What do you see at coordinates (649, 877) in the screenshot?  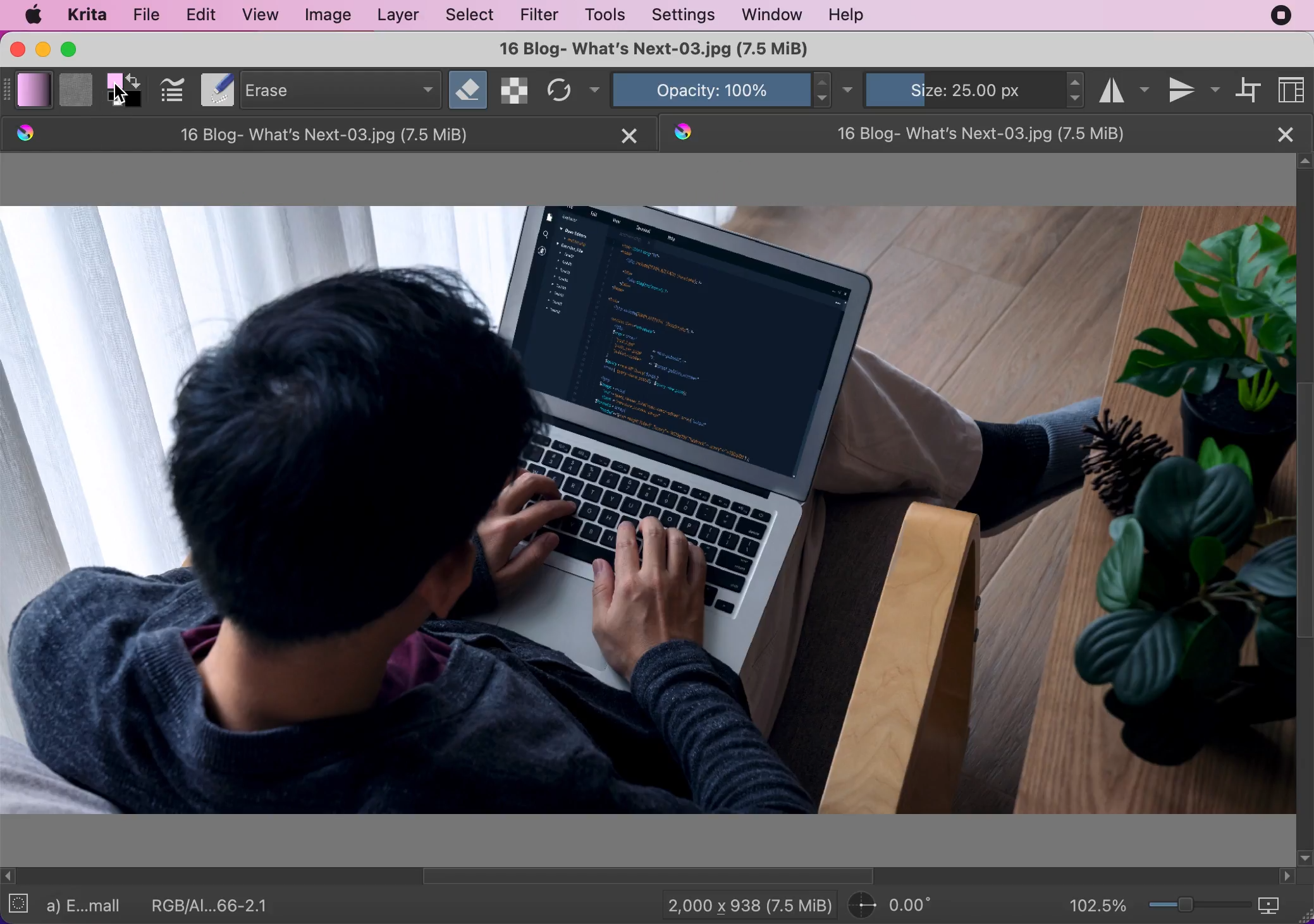 I see `horizontal scroll bar` at bounding box center [649, 877].